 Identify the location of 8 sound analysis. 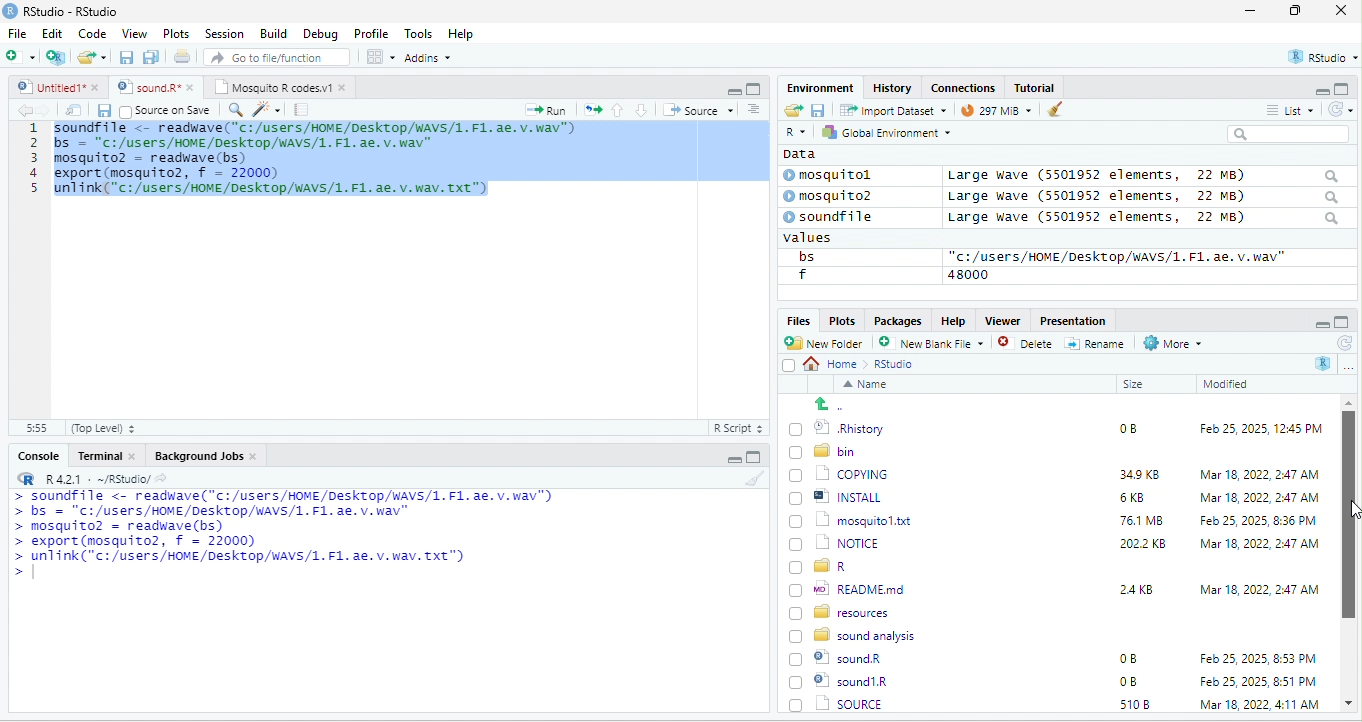
(855, 634).